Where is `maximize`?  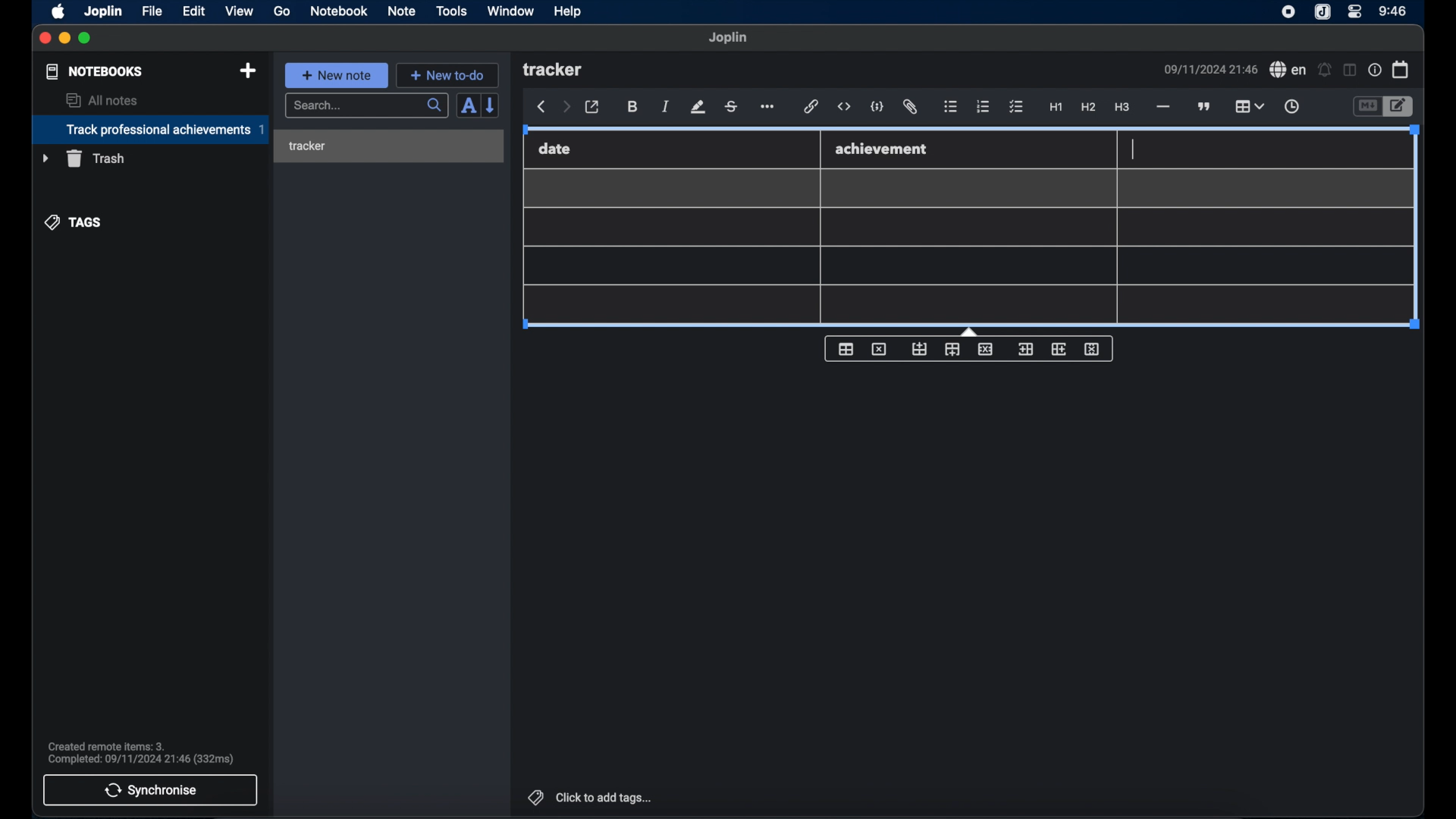
maximize is located at coordinates (86, 39).